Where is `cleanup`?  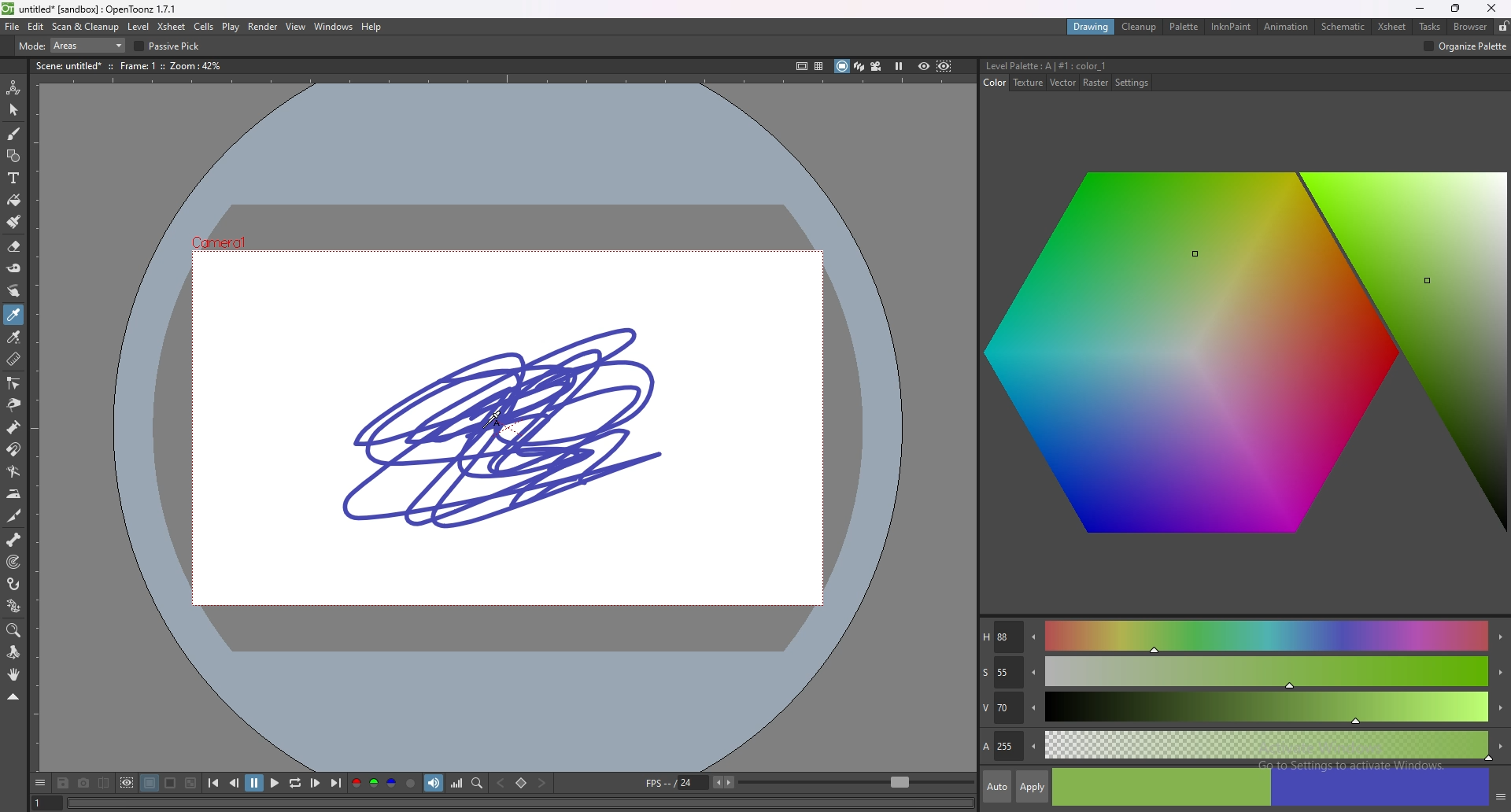
cleanup is located at coordinates (1141, 28).